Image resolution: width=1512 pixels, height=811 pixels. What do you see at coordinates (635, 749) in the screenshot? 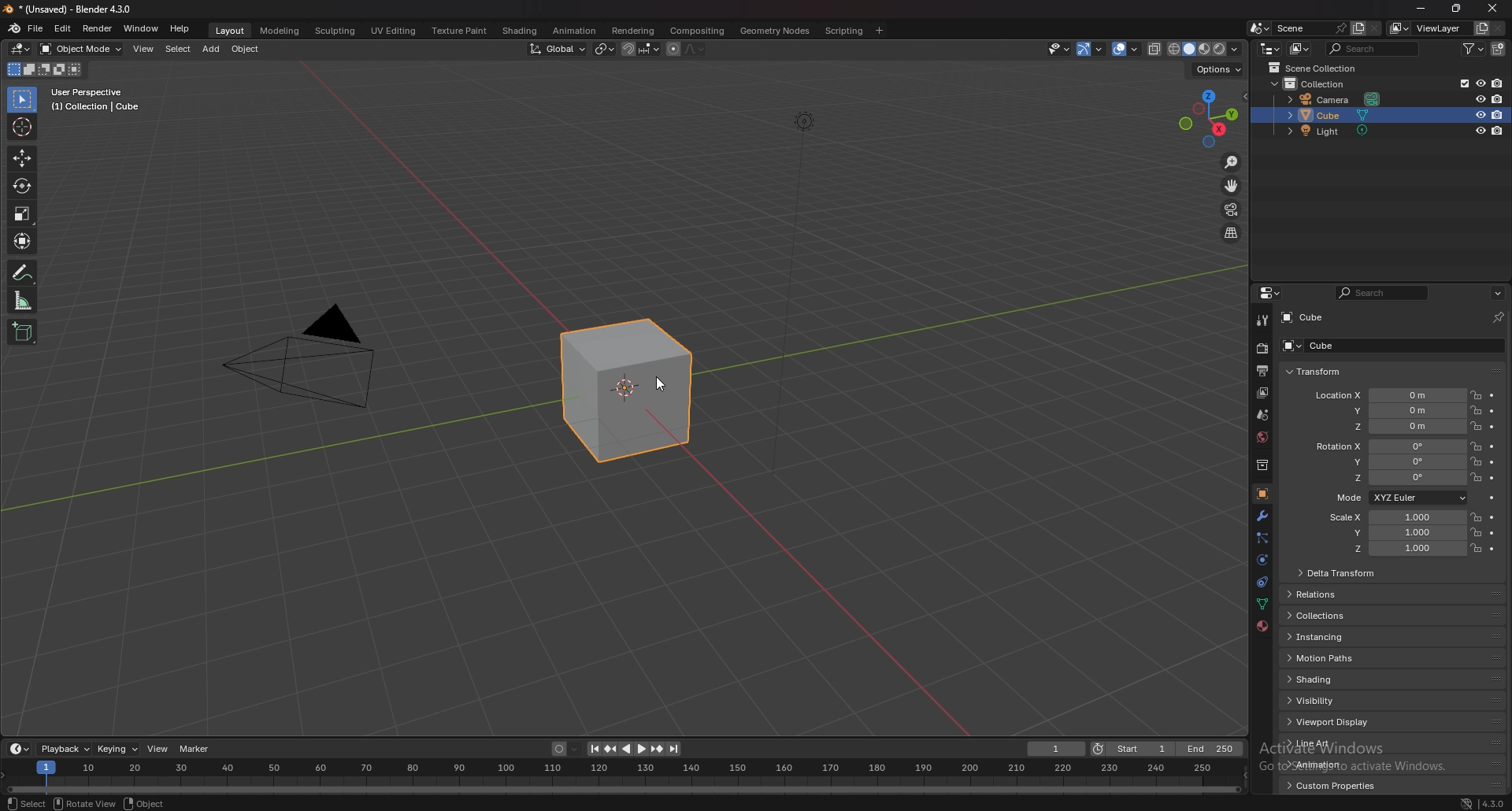
I see `play animation` at bounding box center [635, 749].